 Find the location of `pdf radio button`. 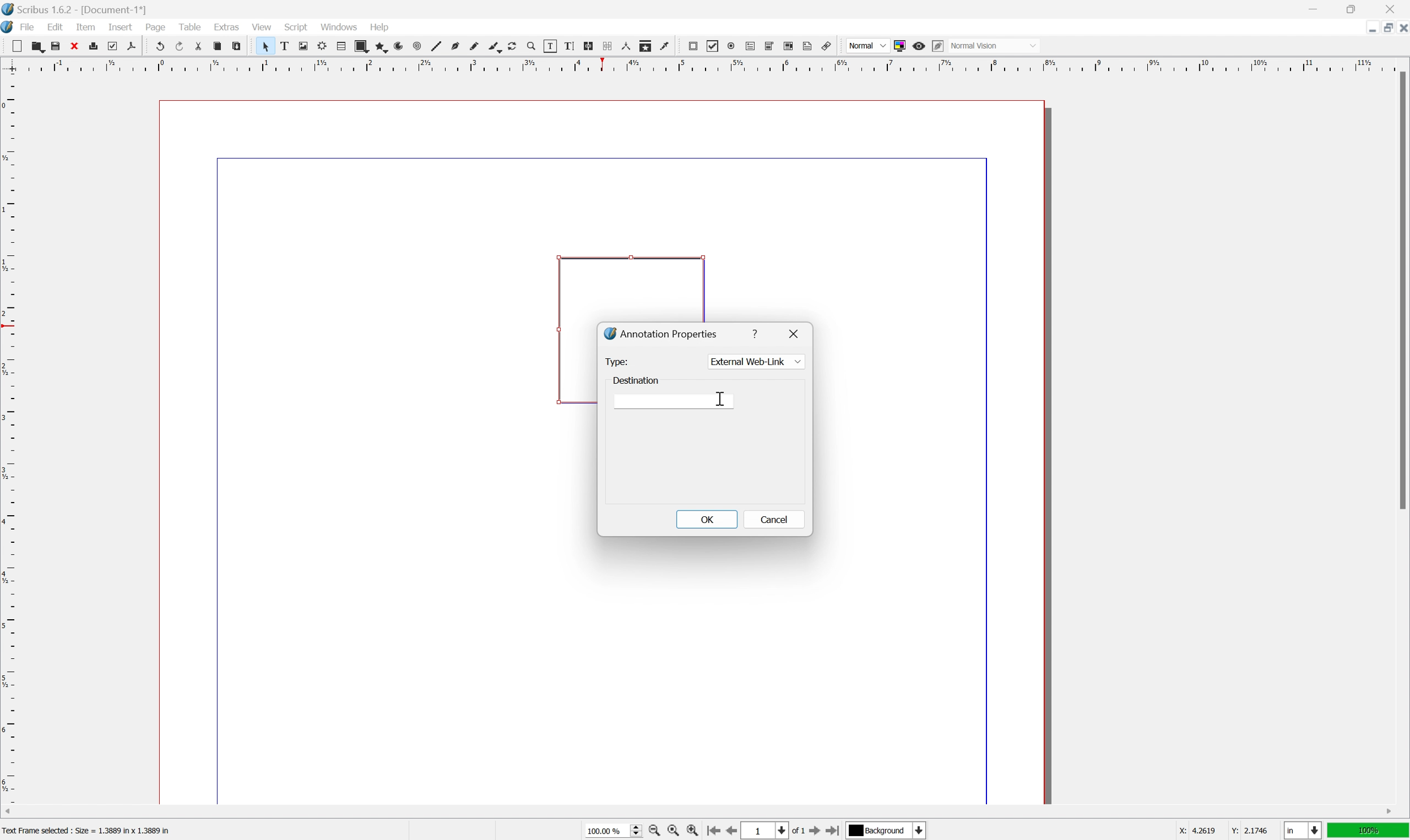

pdf radio button is located at coordinates (731, 46).